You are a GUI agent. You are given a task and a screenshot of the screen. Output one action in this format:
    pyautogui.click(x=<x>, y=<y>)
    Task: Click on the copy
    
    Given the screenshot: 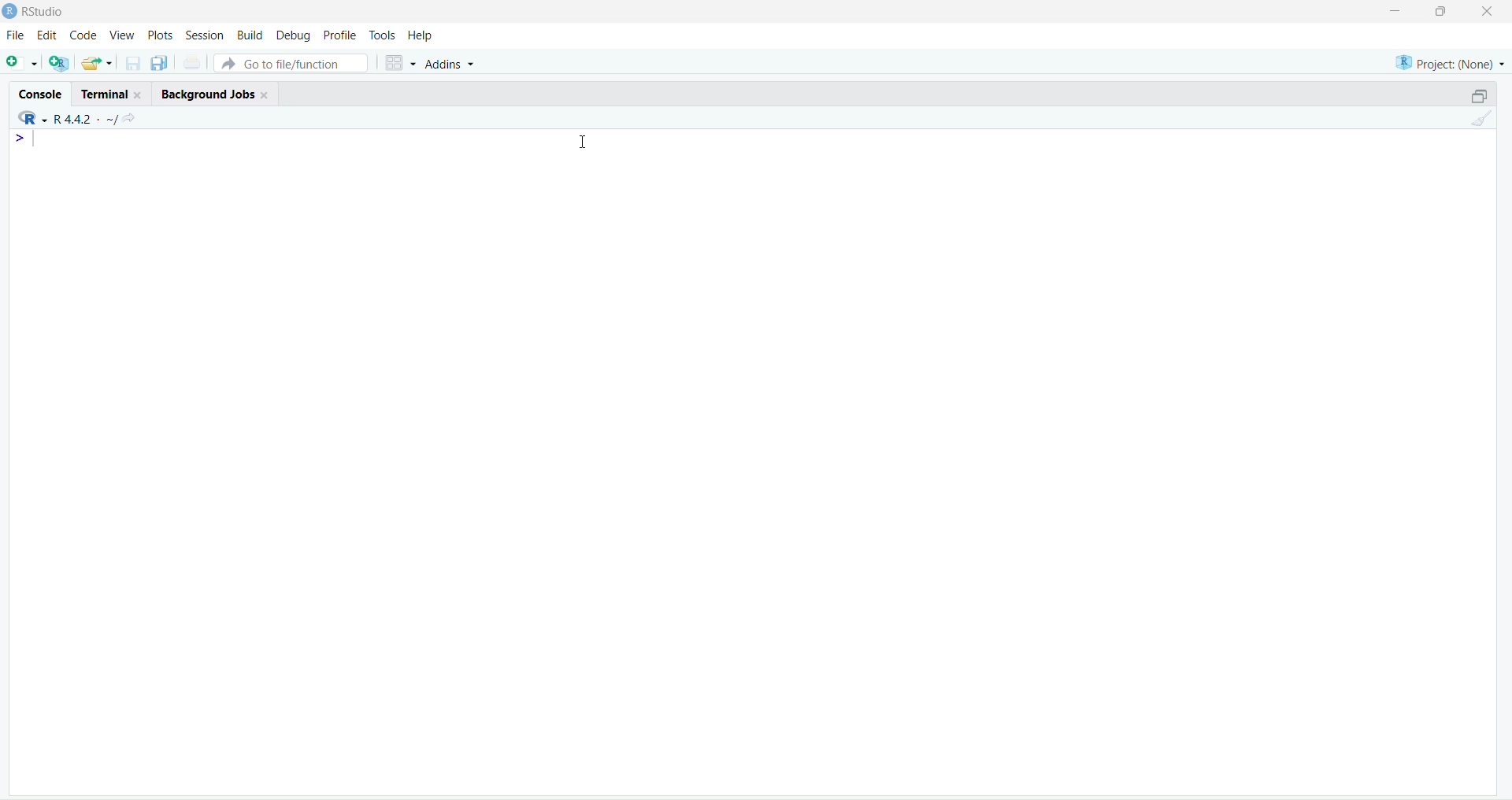 What is the action you would take?
    pyautogui.click(x=159, y=62)
    